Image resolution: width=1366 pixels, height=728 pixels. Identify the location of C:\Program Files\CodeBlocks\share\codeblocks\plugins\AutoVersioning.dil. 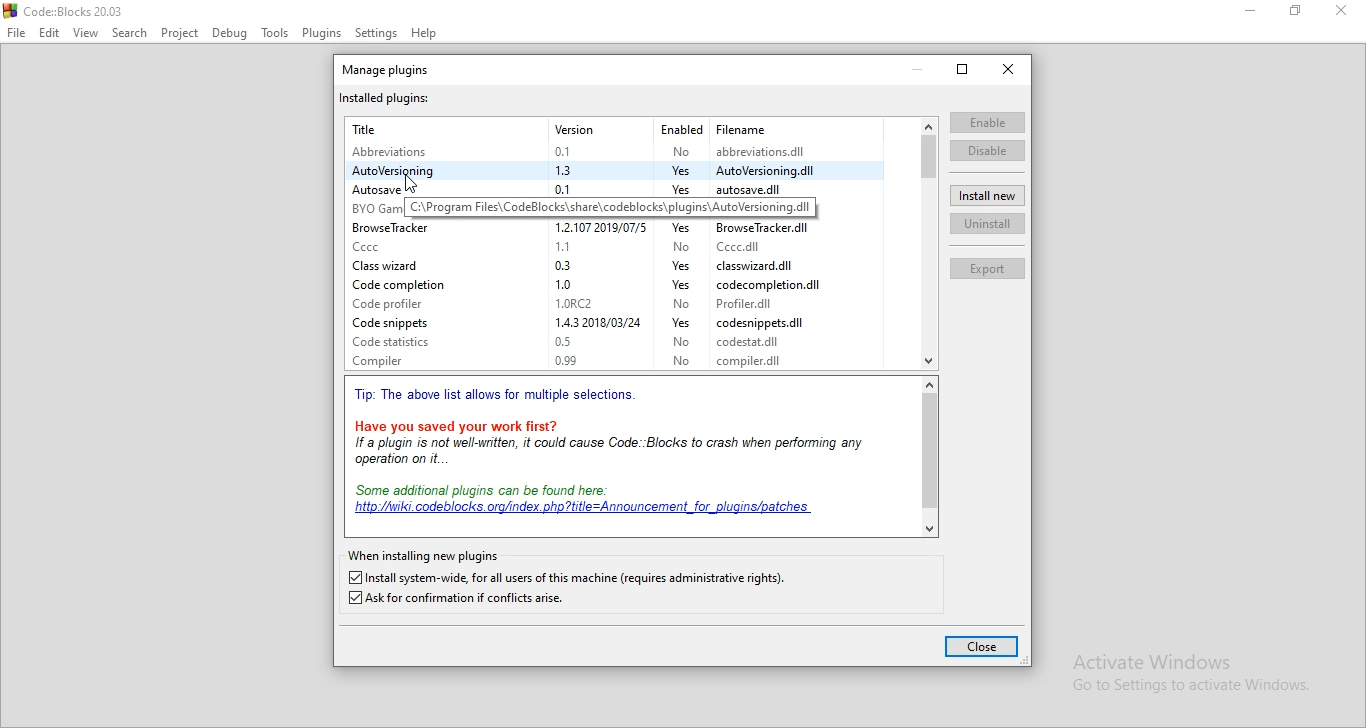
(611, 207).